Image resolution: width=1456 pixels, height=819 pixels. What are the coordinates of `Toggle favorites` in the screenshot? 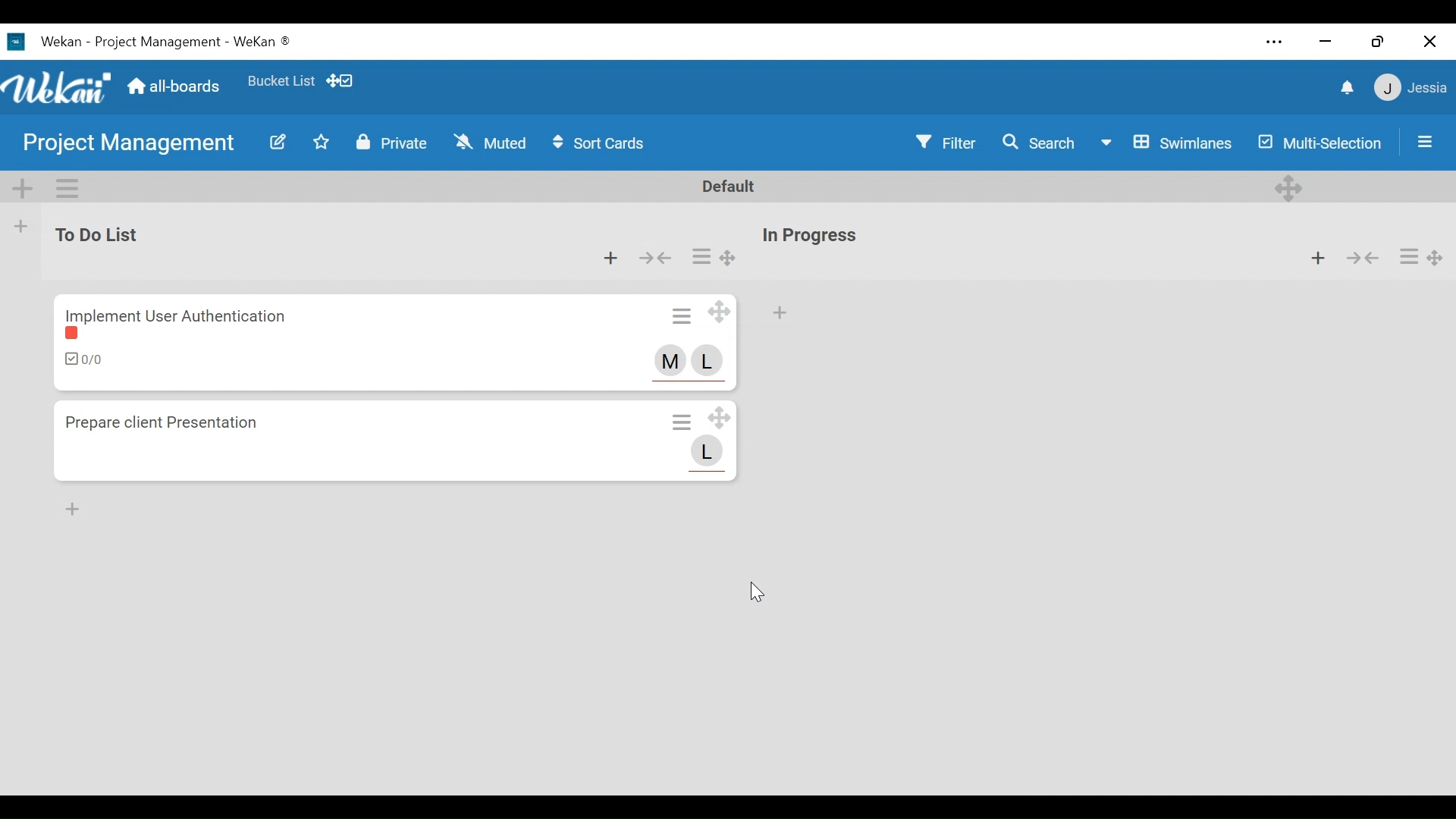 It's located at (322, 141).